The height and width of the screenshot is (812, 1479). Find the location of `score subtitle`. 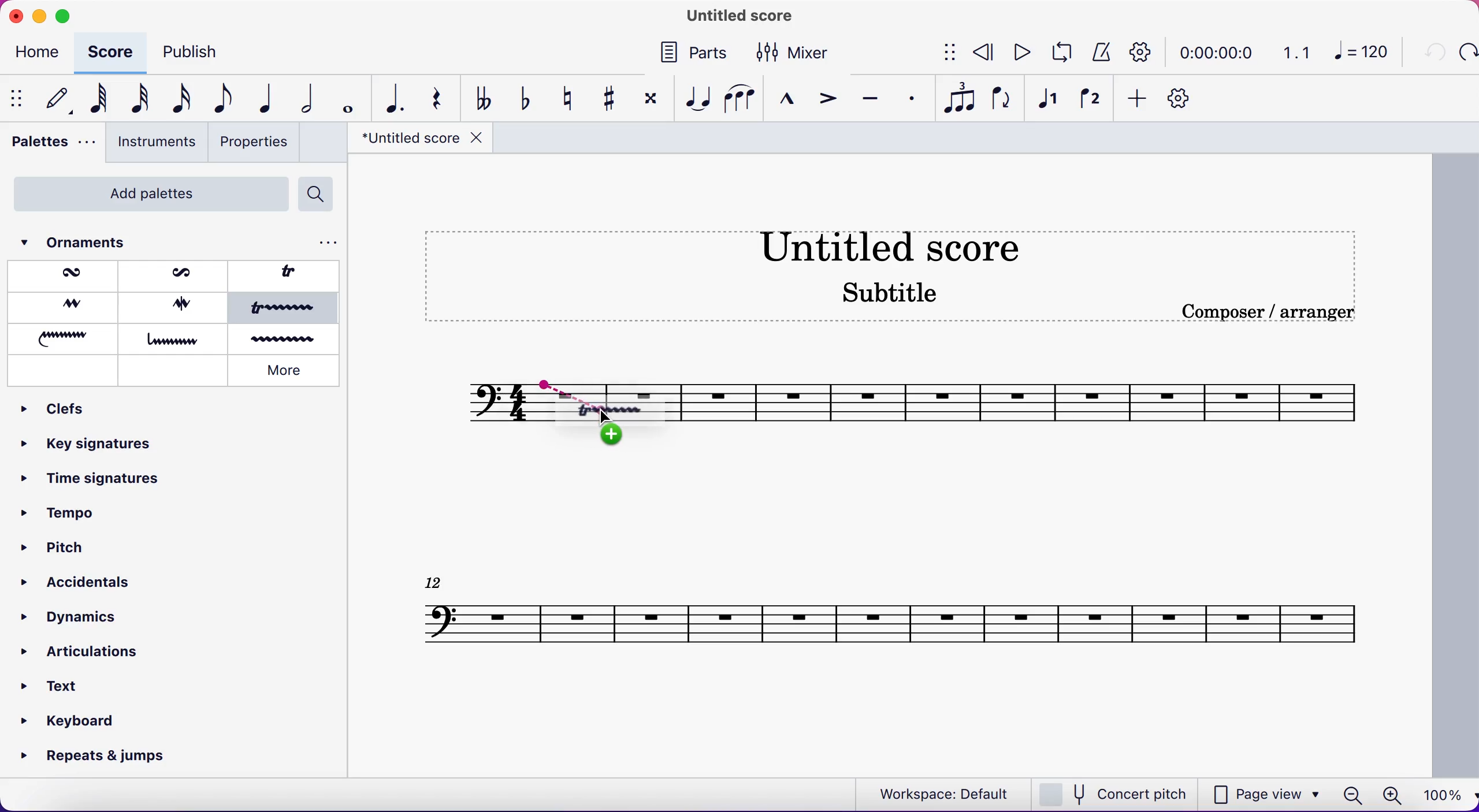

score subtitle is located at coordinates (895, 299).